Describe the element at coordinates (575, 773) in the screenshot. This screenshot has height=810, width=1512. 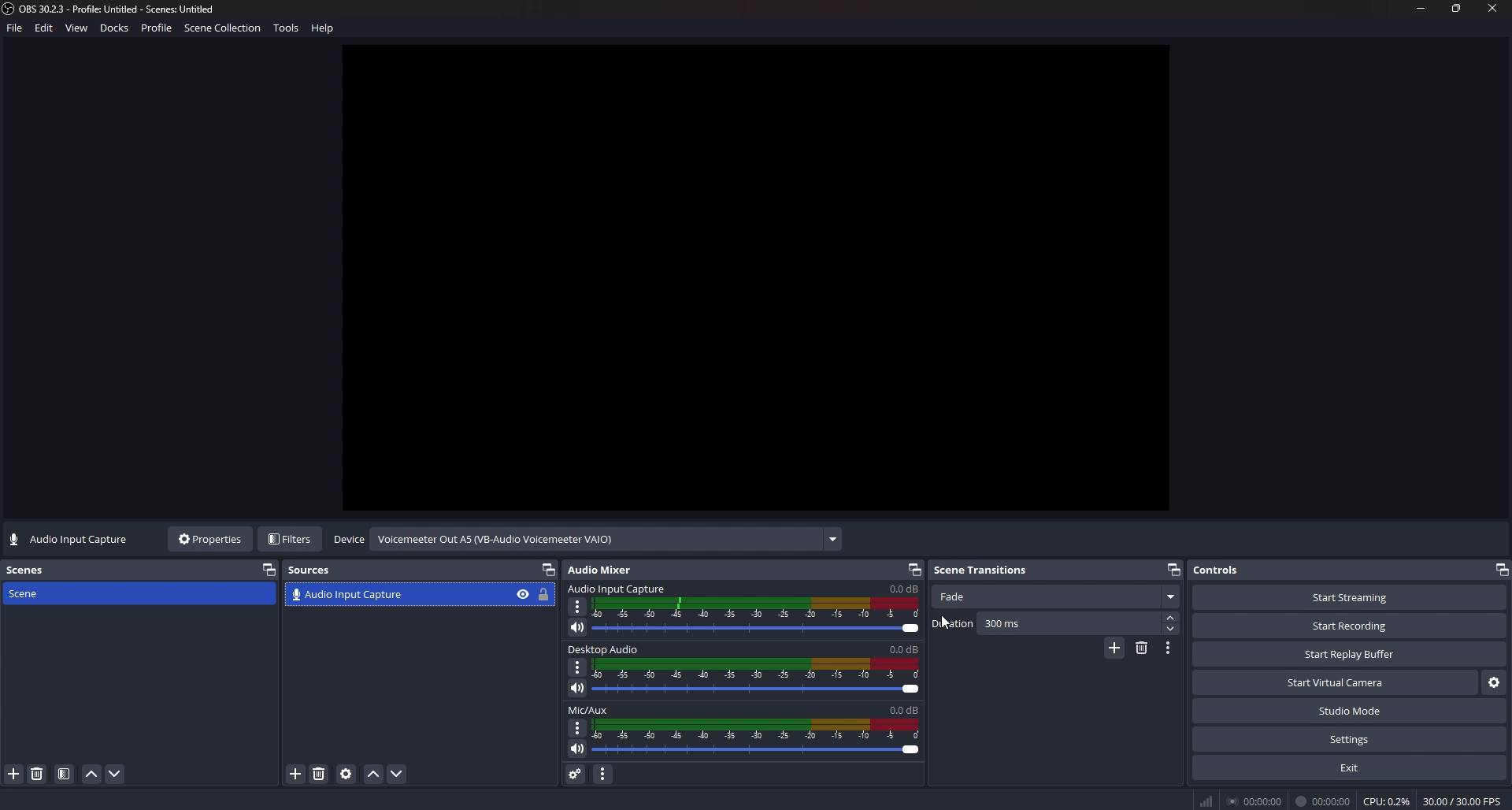
I see `advanced audio properties` at that location.